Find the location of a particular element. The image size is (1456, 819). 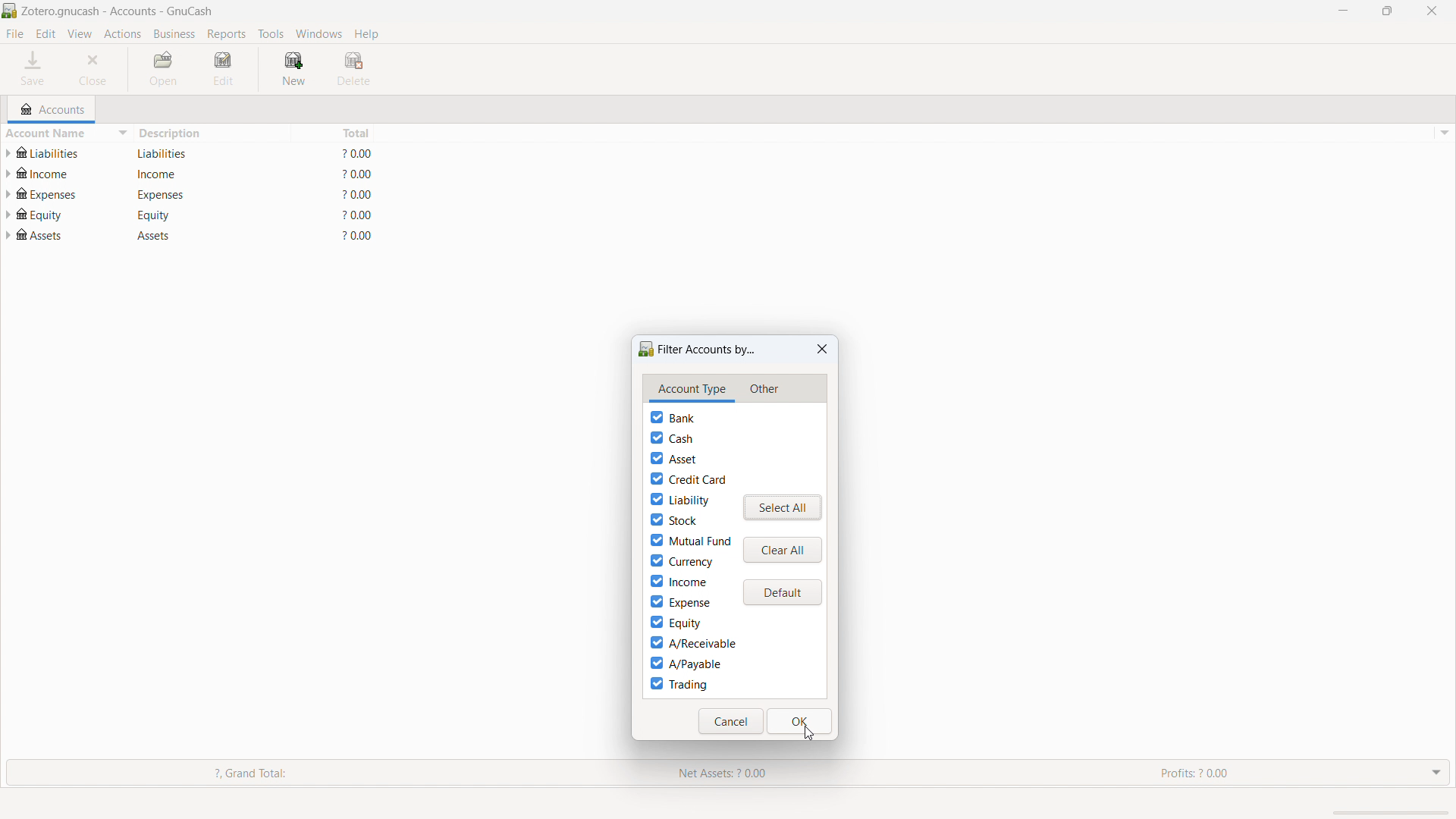

reports is located at coordinates (227, 34).